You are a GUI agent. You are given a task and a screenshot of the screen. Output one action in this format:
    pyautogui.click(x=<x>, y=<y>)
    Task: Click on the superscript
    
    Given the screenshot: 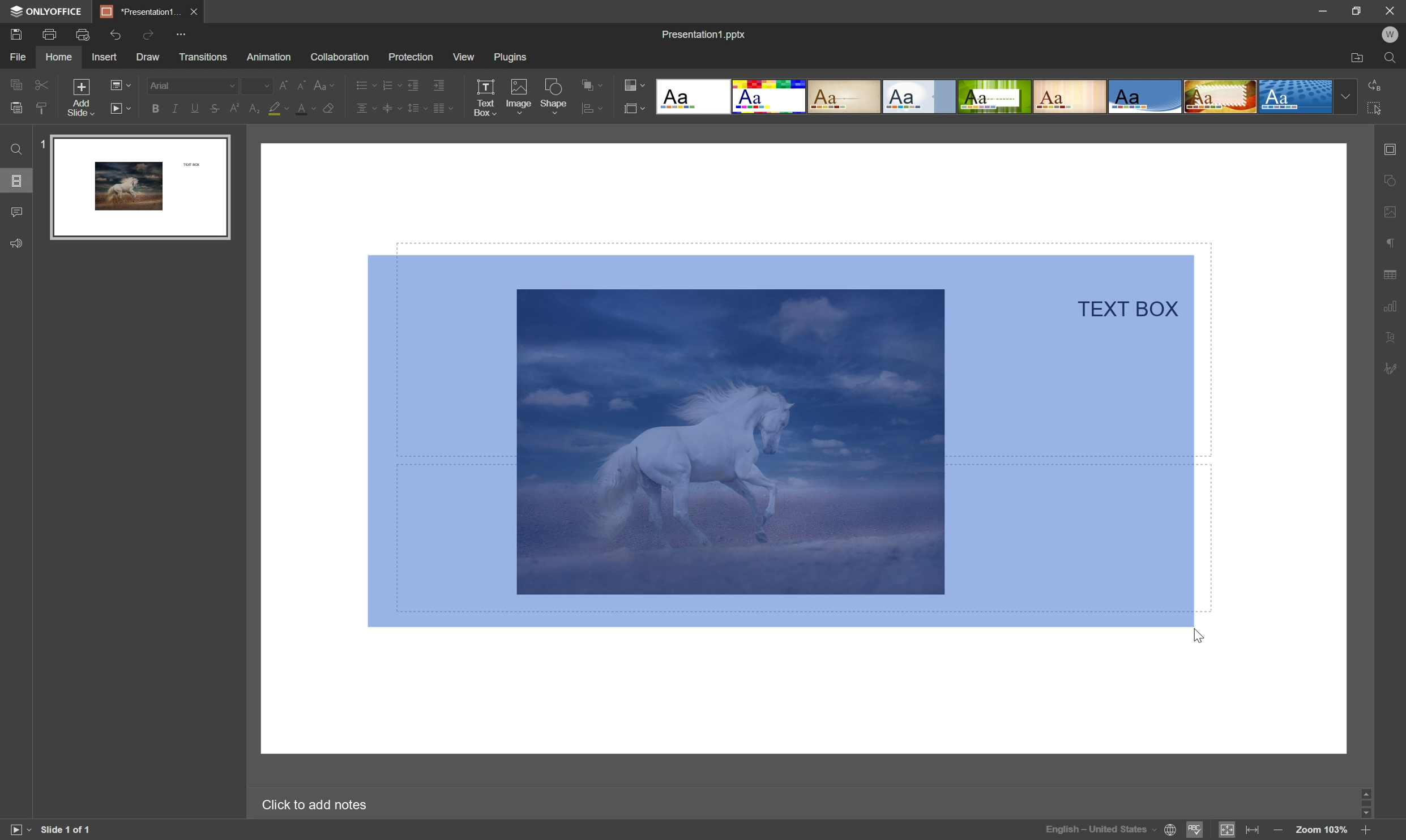 What is the action you would take?
    pyautogui.click(x=237, y=109)
    